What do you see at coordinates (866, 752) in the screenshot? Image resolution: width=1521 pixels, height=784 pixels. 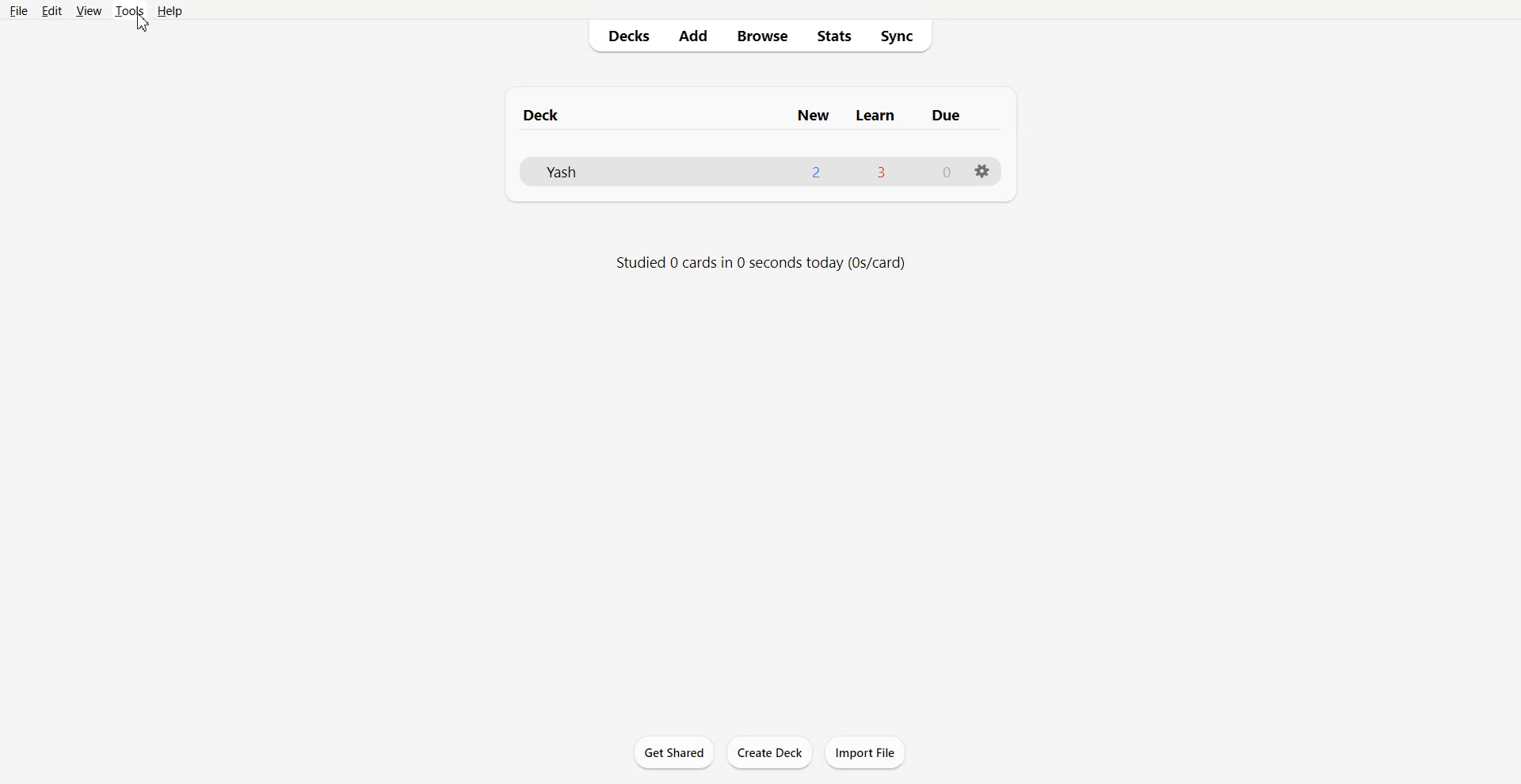 I see `Import File` at bounding box center [866, 752].